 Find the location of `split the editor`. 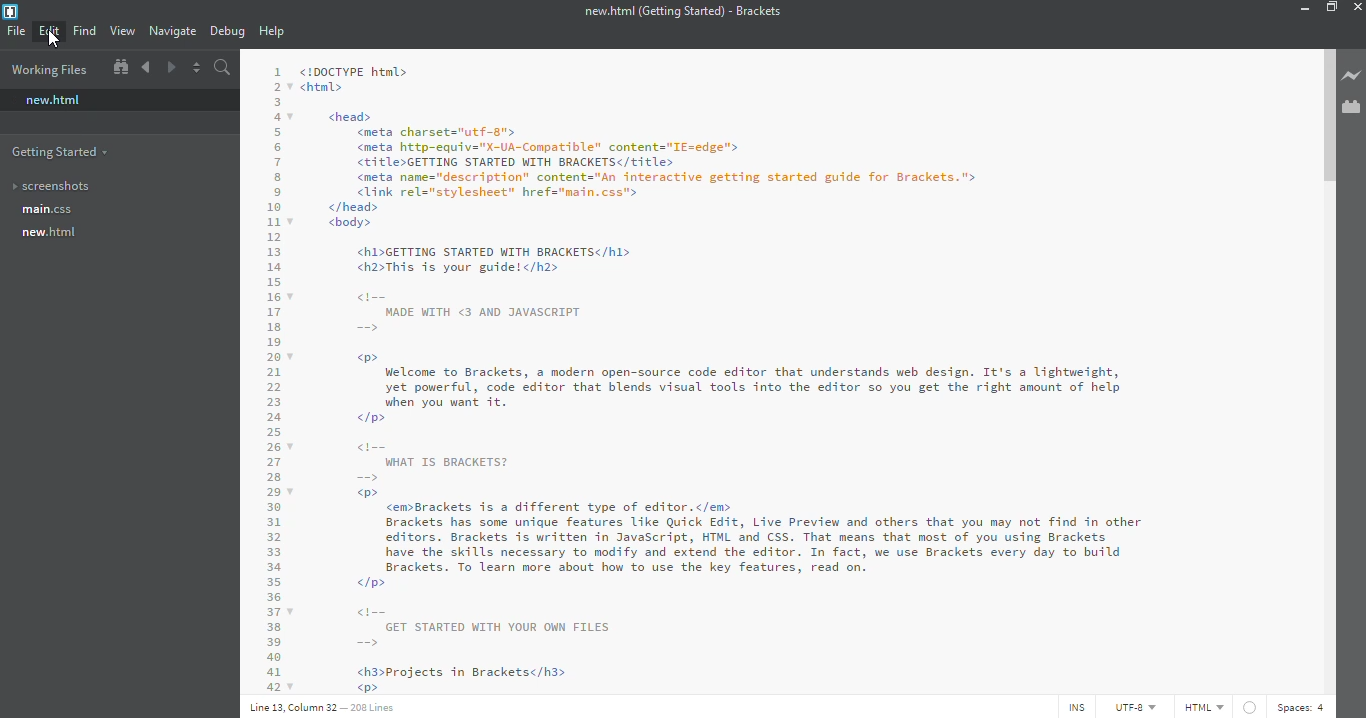

split the editor is located at coordinates (196, 68).